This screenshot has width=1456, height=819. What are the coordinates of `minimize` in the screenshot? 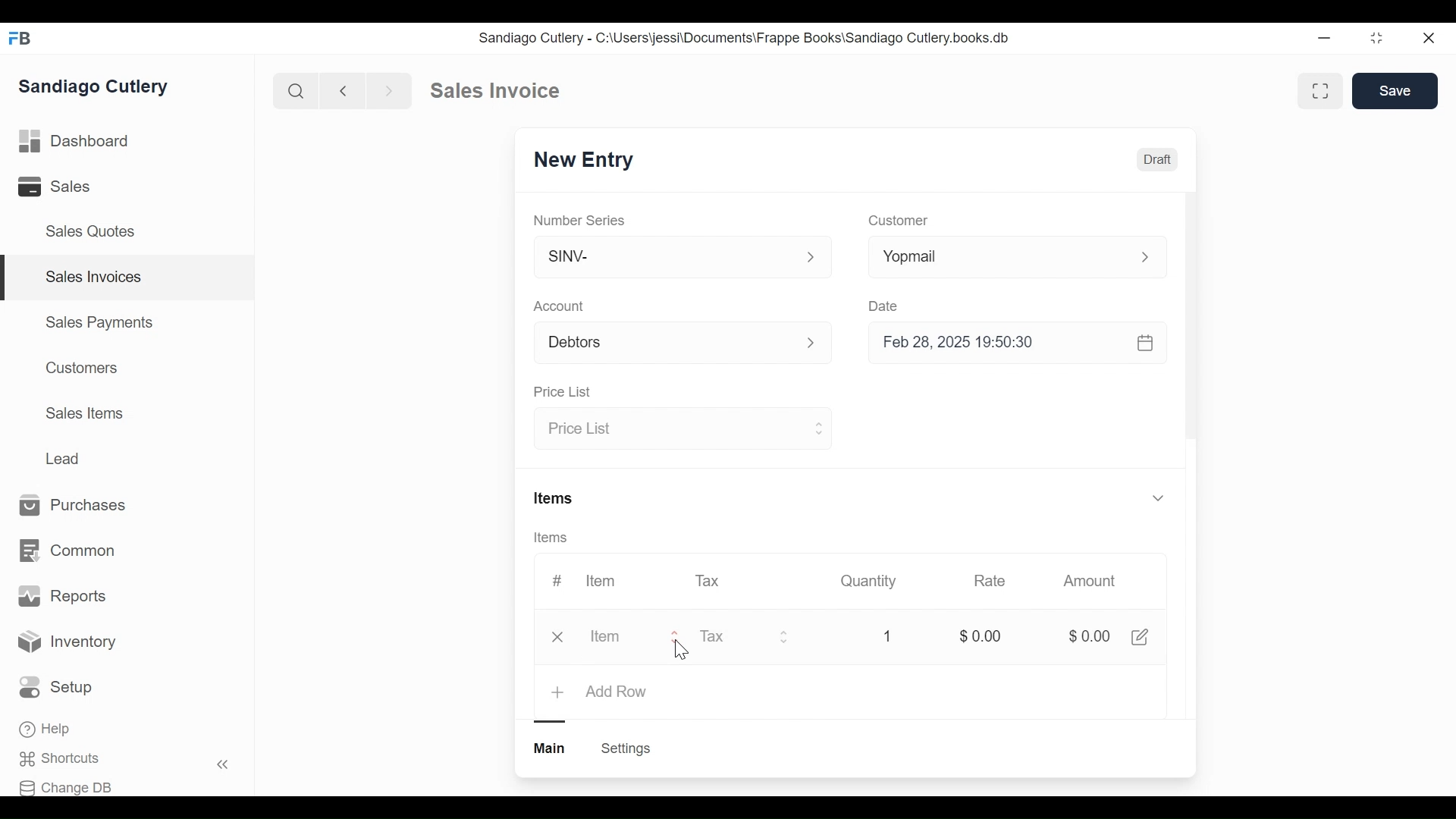 It's located at (1324, 37).